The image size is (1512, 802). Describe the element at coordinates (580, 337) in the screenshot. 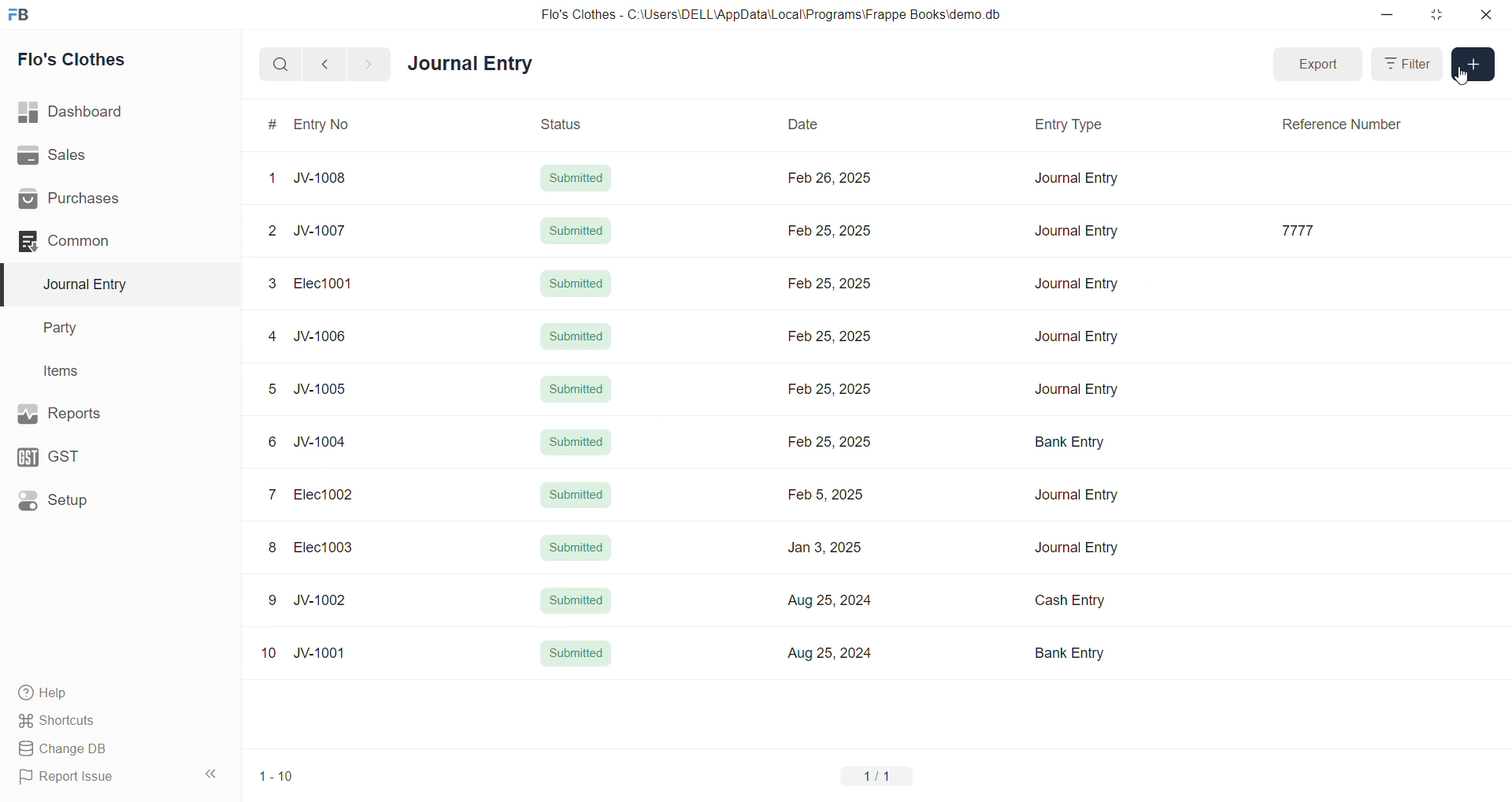

I see `Submitted` at that location.